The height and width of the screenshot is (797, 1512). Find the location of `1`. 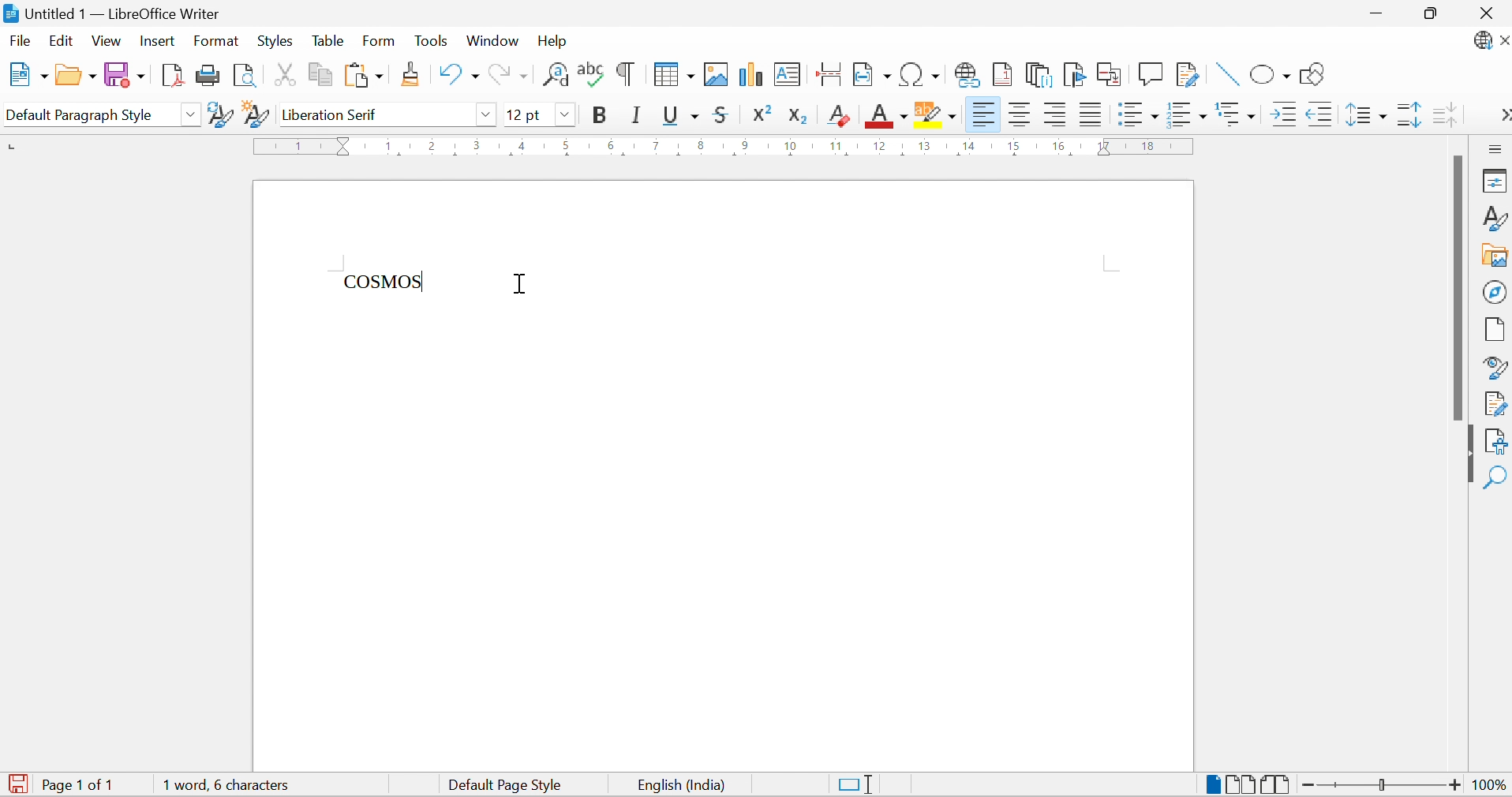

1 is located at coordinates (301, 146).